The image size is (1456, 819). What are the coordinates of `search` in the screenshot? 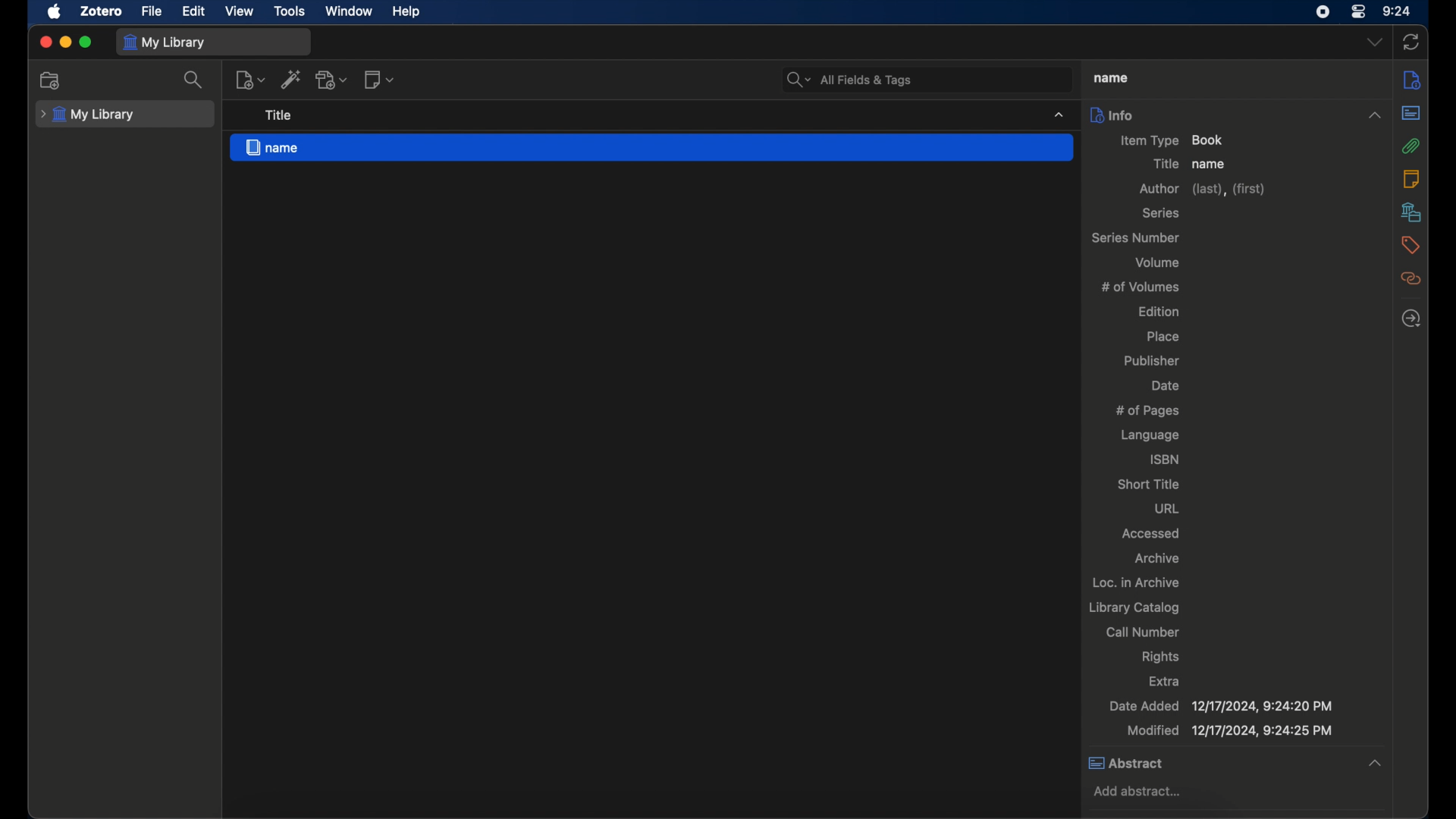 It's located at (852, 80).